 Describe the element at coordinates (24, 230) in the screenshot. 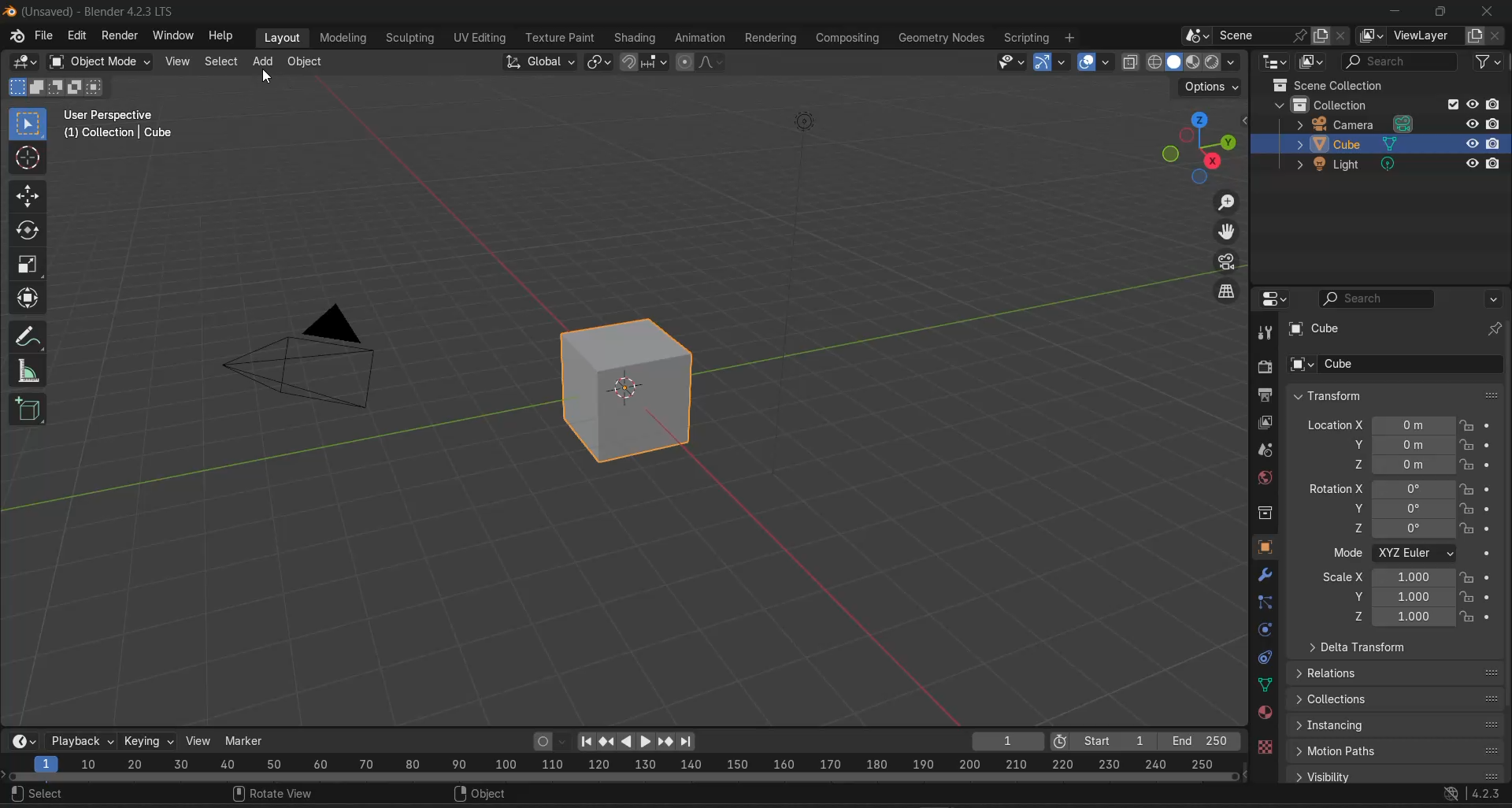

I see `rotate` at that location.